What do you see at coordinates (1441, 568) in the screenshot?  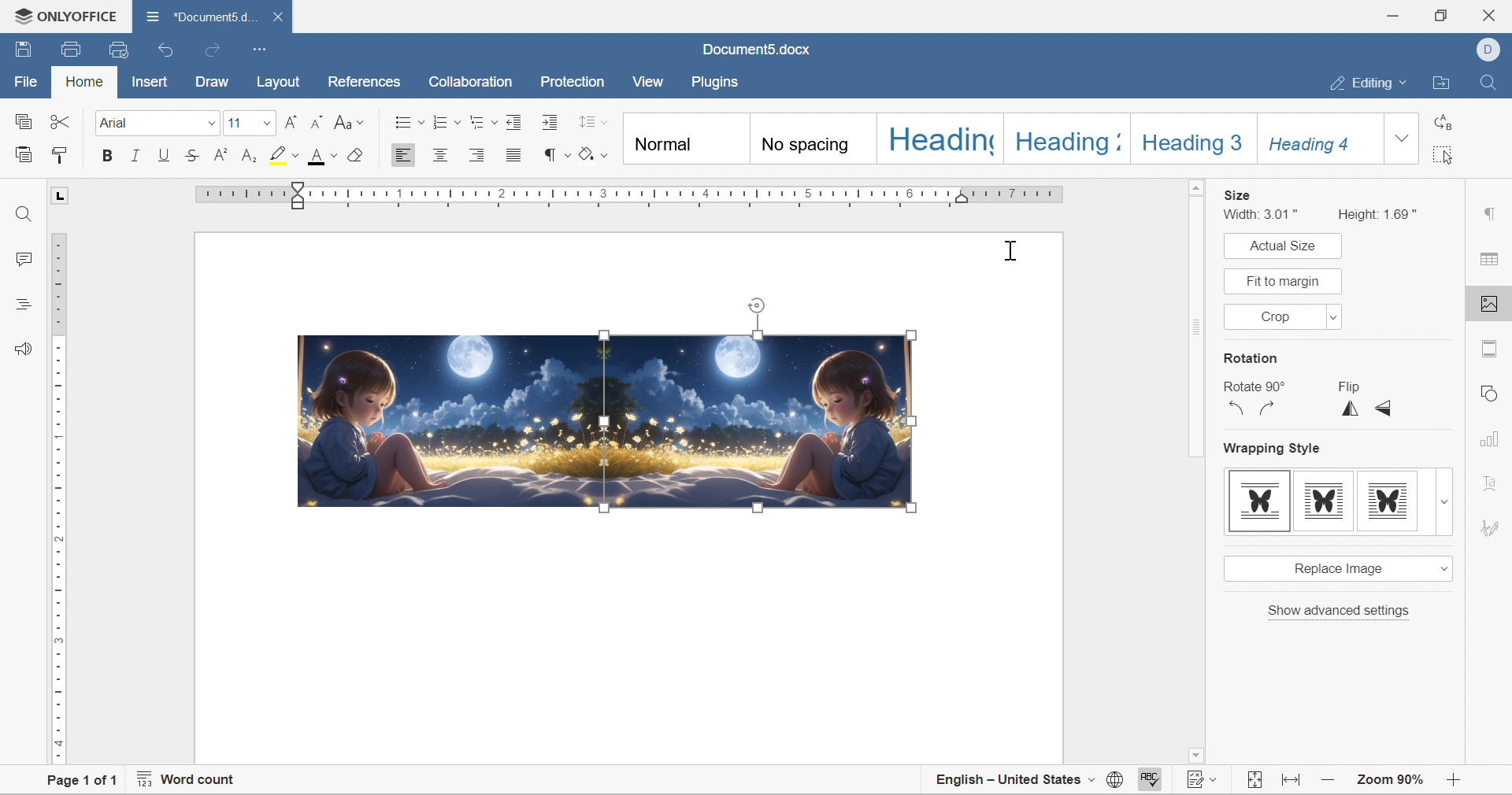 I see `drop down` at bounding box center [1441, 568].